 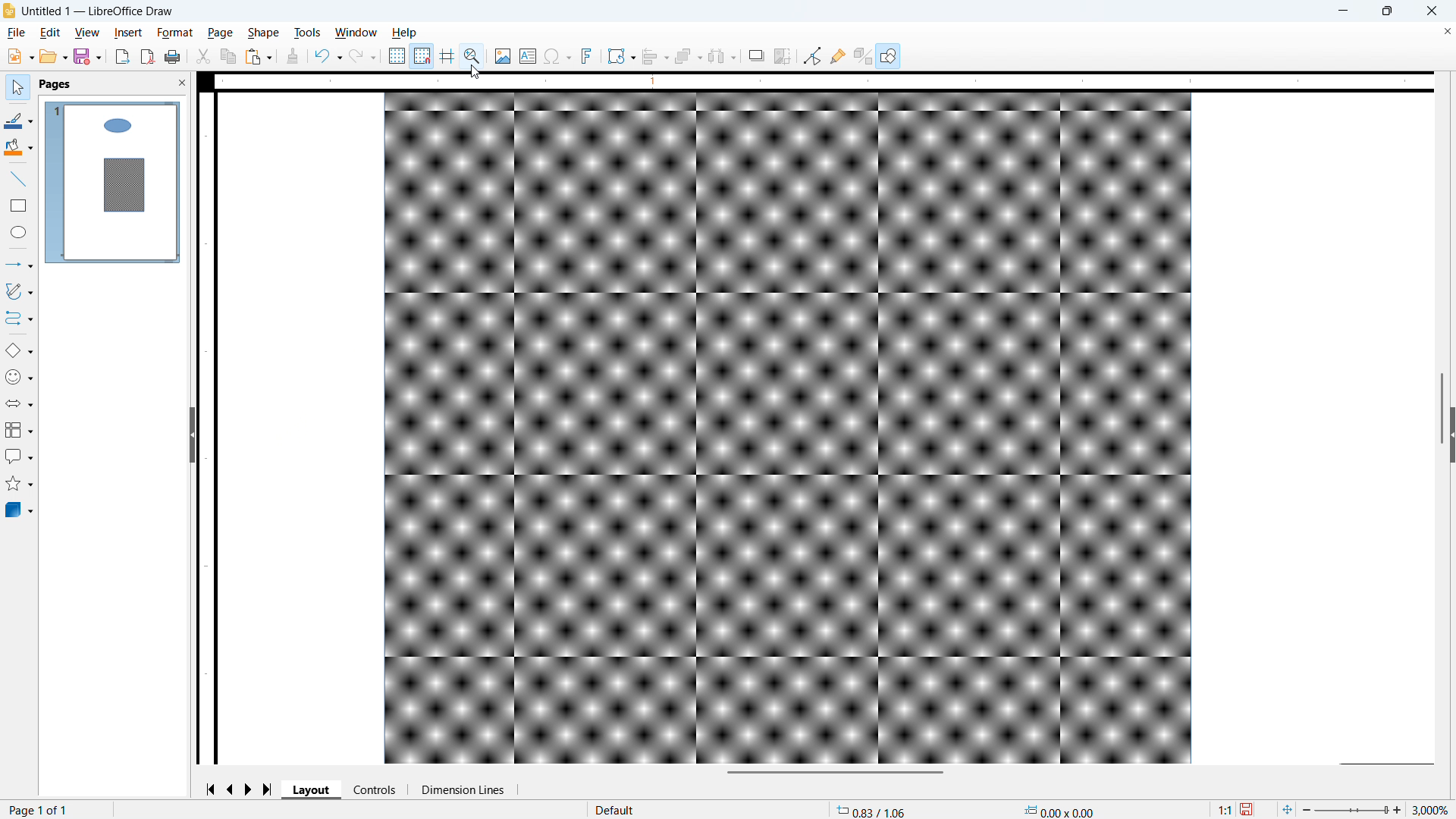 I want to click on Shadow , so click(x=756, y=55).